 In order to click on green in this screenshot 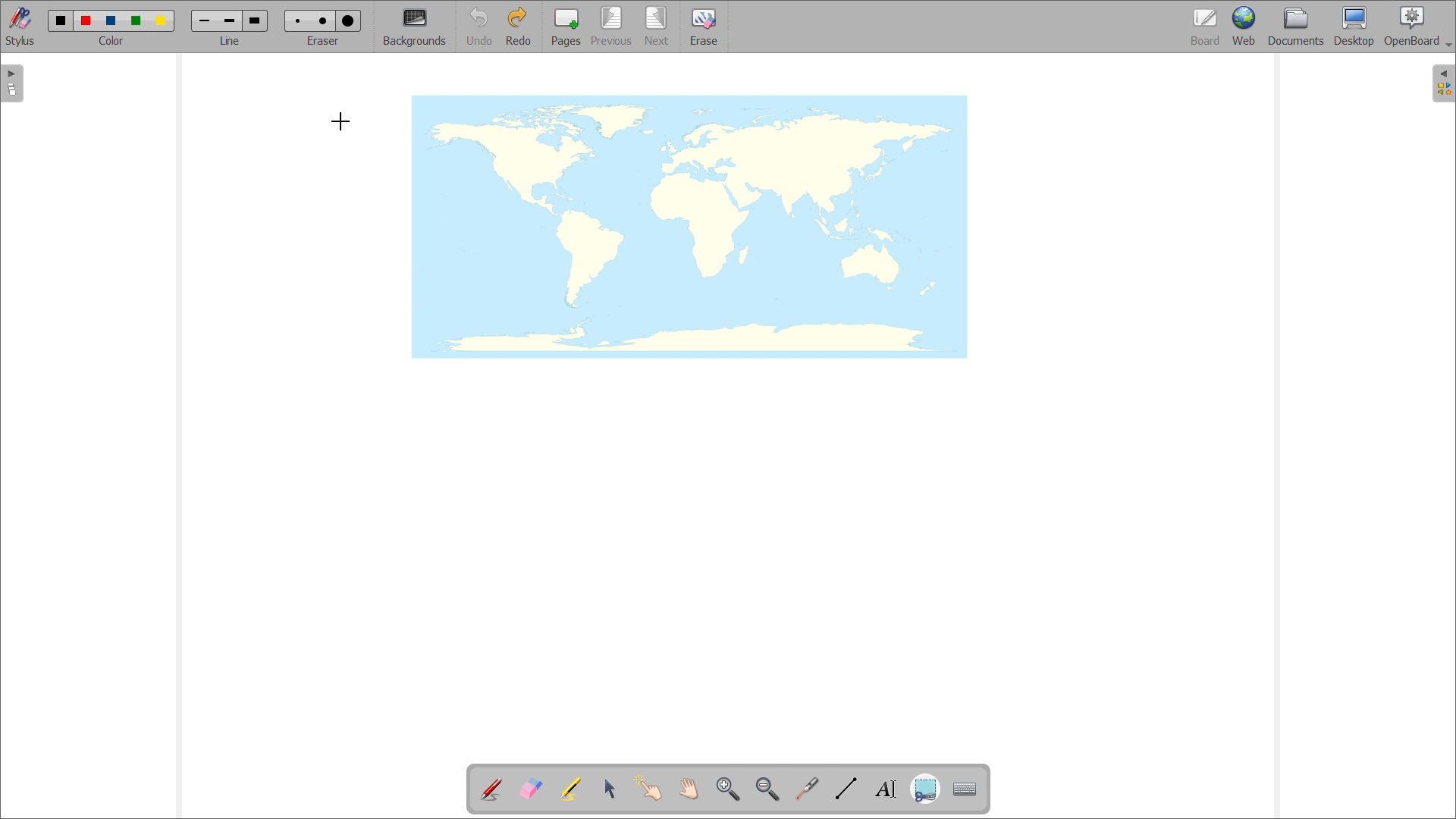, I will do `click(136, 20)`.